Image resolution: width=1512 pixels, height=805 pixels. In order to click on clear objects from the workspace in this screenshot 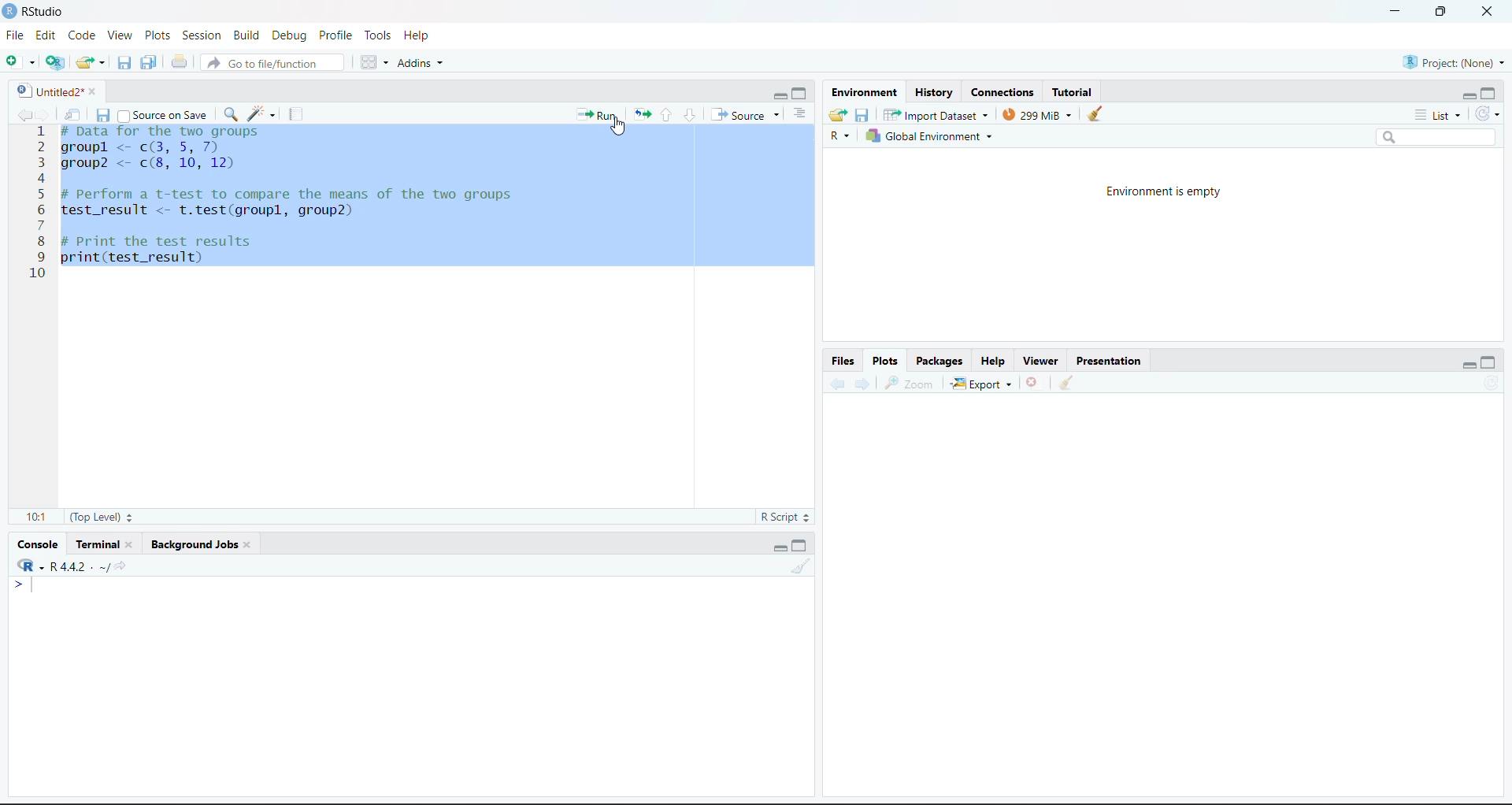, I will do `click(1095, 113)`.